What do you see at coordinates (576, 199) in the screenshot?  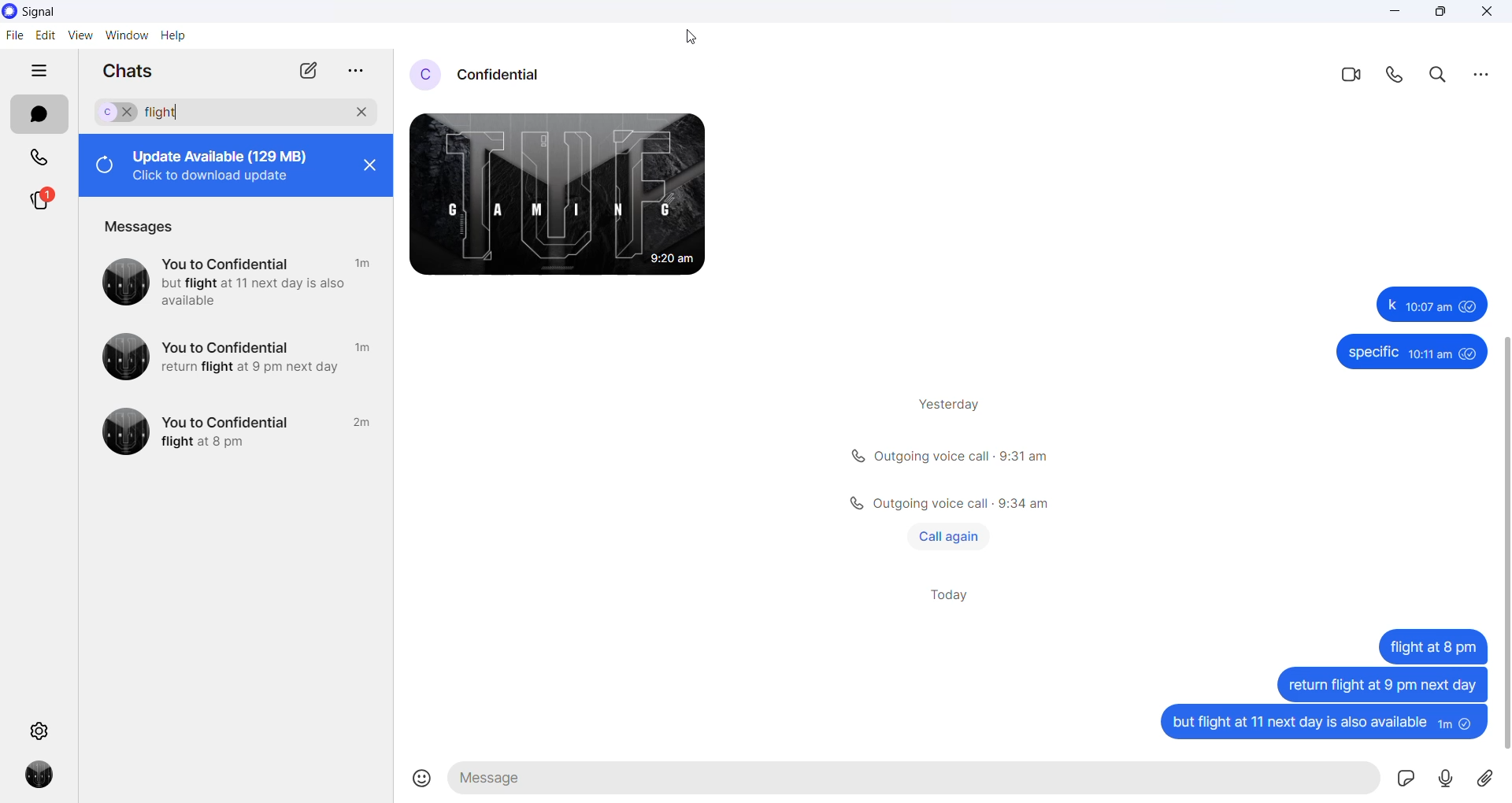 I see `received messages ` at bounding box center [576, 199].